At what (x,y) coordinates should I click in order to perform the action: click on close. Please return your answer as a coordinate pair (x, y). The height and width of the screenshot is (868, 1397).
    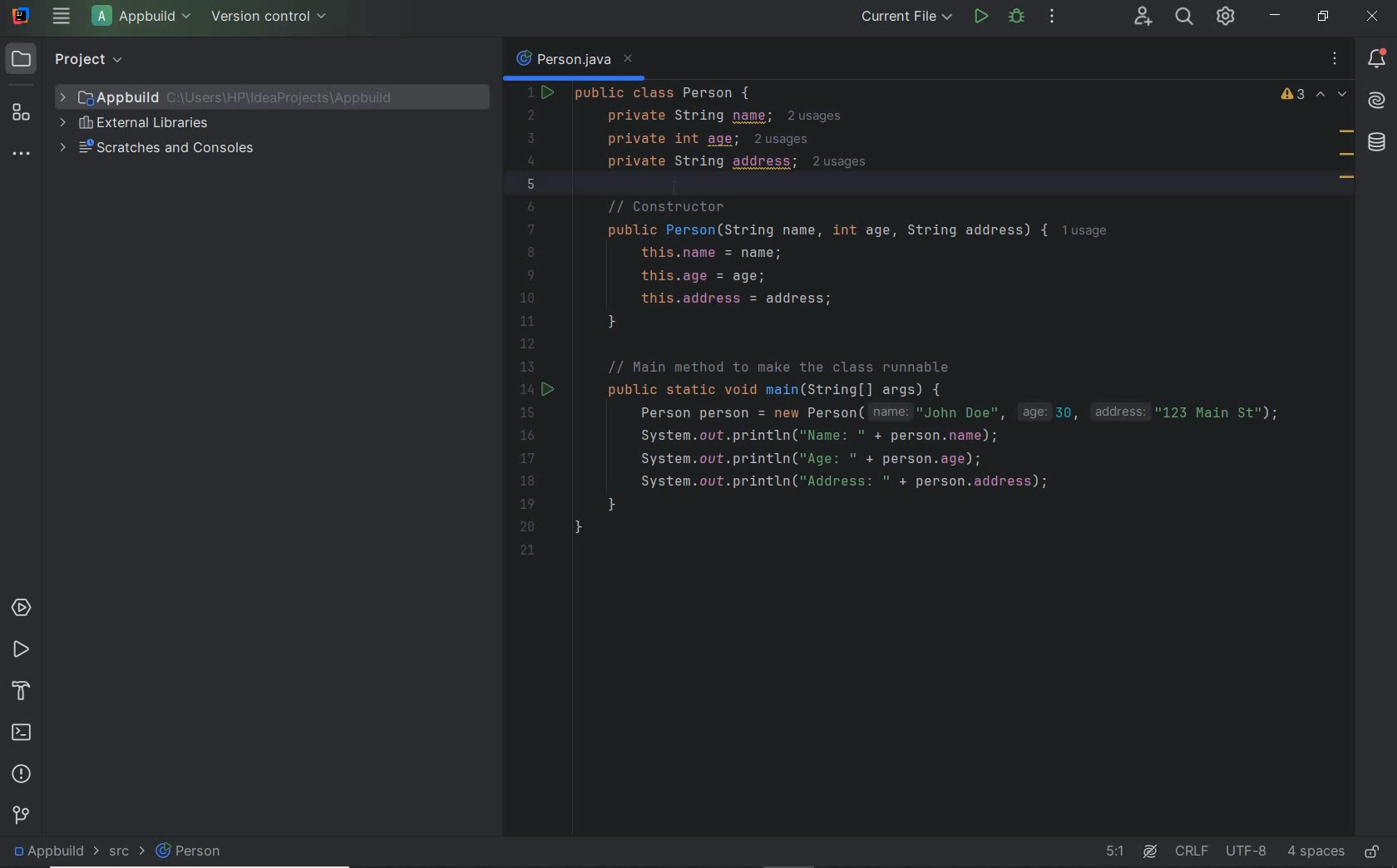
    Looking at the image, I should click on (1373, 17).